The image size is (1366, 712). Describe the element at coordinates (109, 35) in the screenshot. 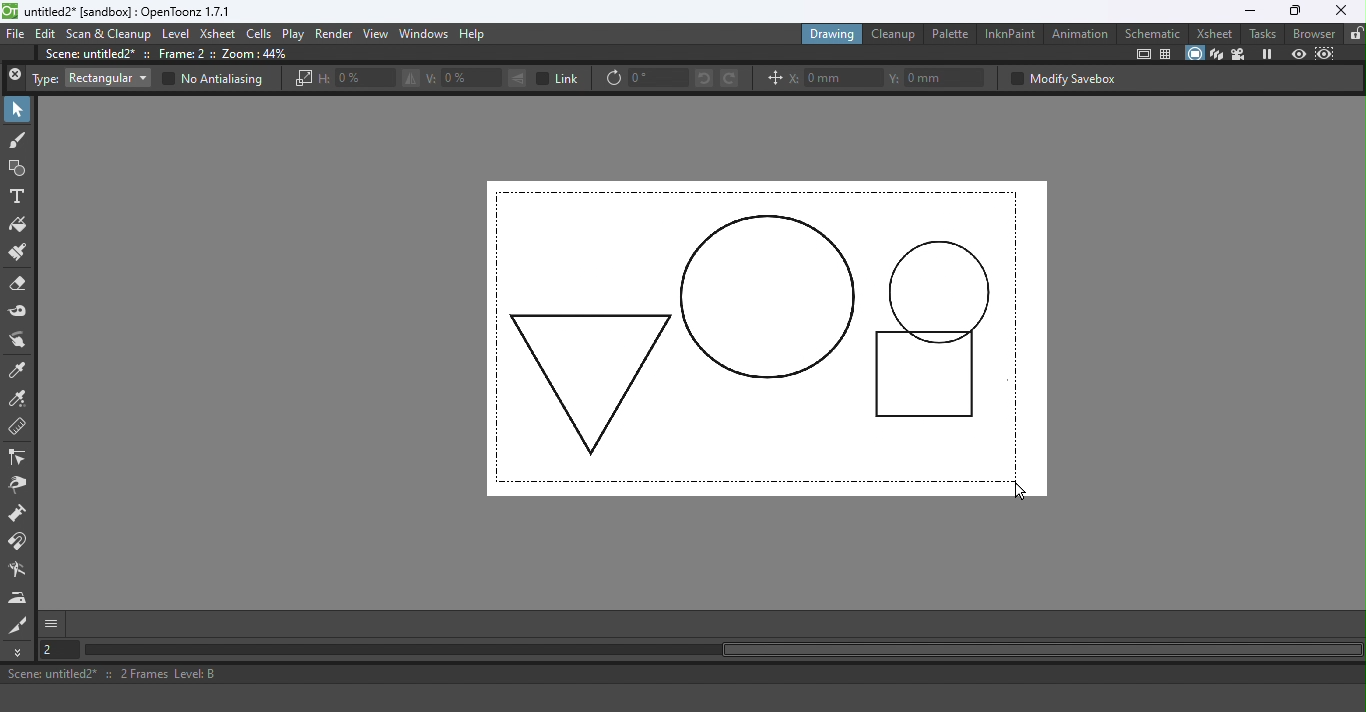

I see `Scan & Cleanup` at that location.